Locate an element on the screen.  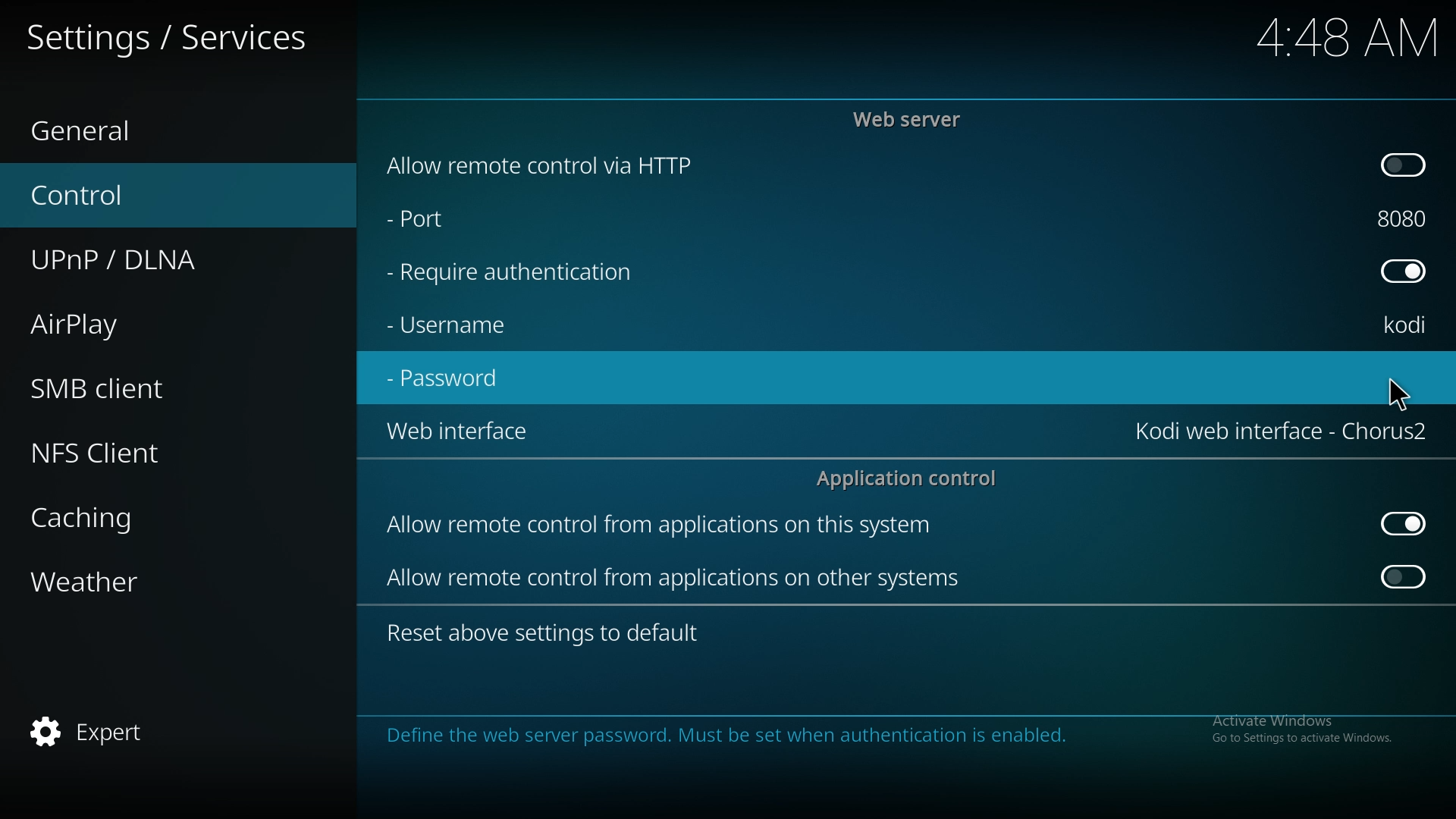
control is located at coordinates (111, 194).